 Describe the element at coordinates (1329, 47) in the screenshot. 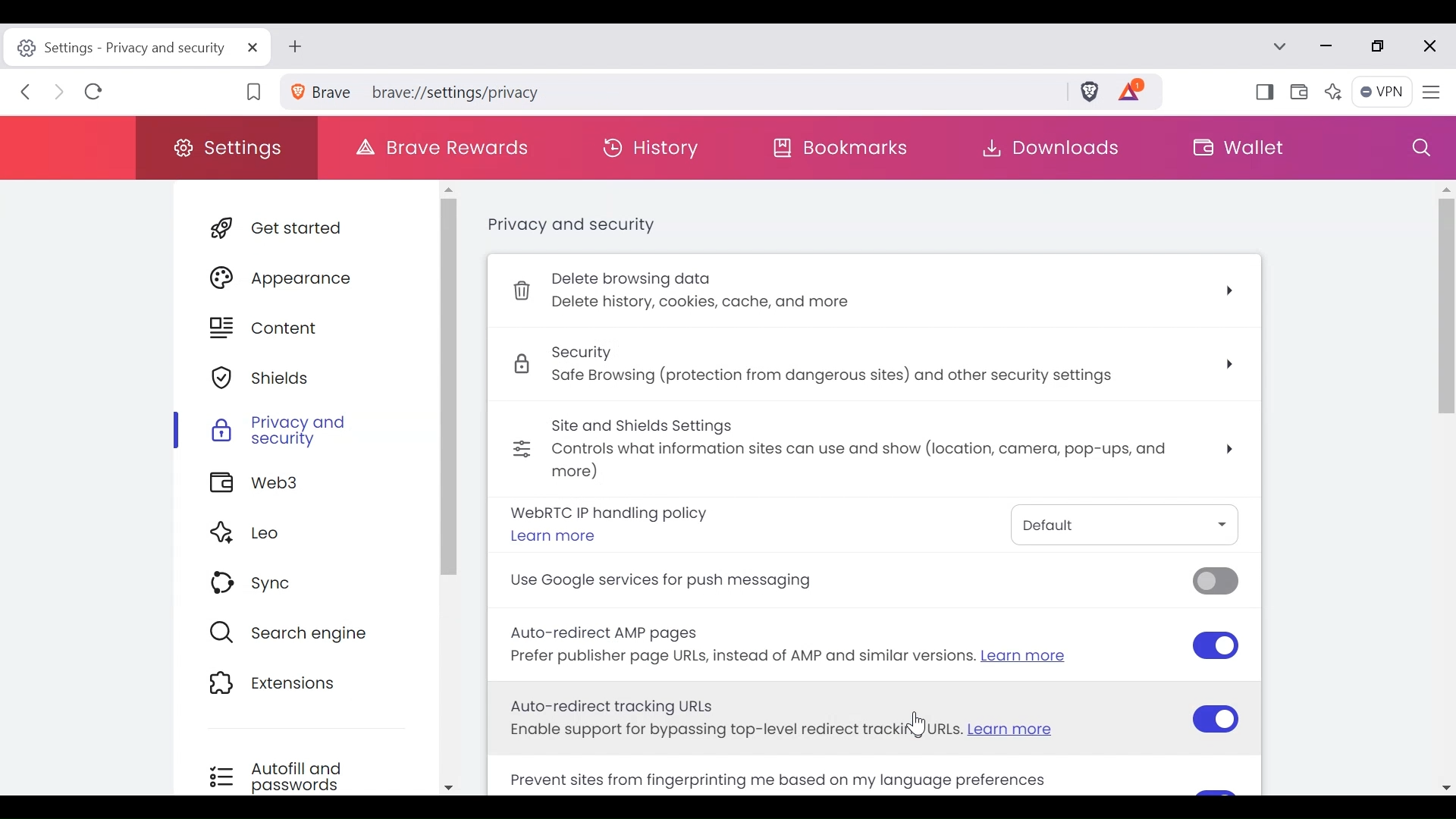

I see `Minimize` at that location.